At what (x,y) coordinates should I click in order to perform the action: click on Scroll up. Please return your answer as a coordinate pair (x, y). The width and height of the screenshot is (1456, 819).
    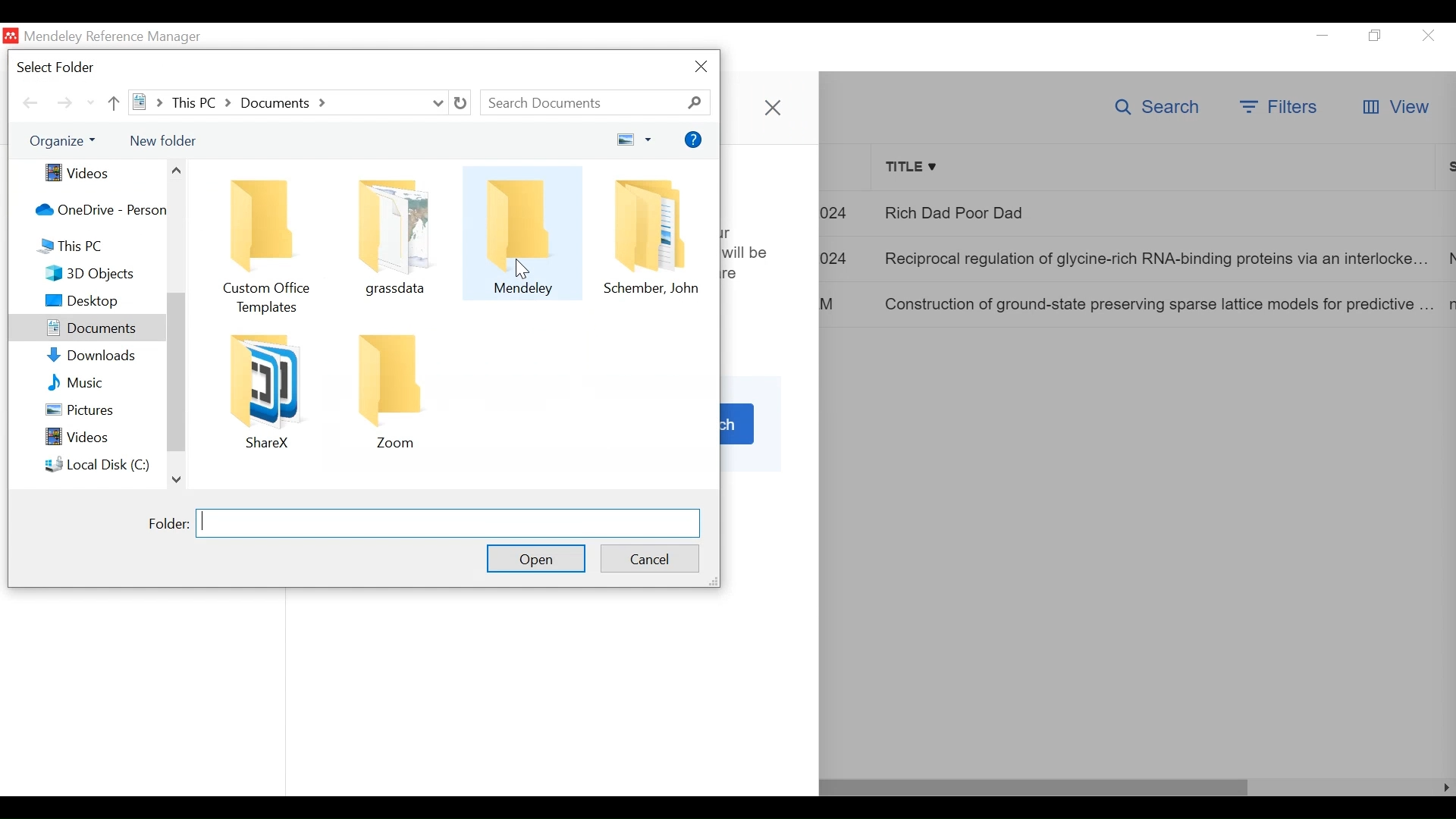
    Looking at the image, I should click on (176, 168).